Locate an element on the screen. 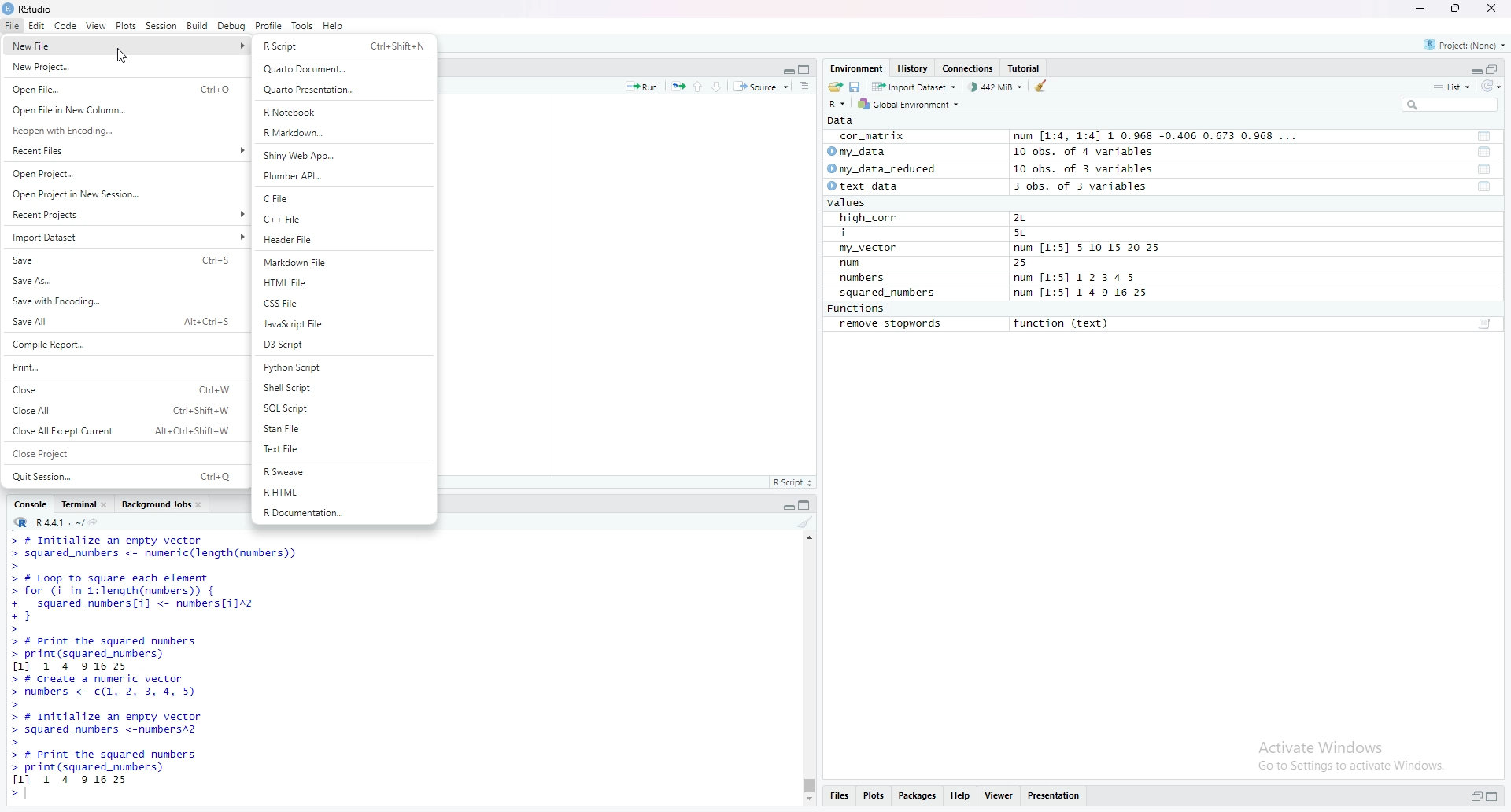 The width and height of the screenshot is (1511, 812). Recent Projects is located at coordinates (122, 214).